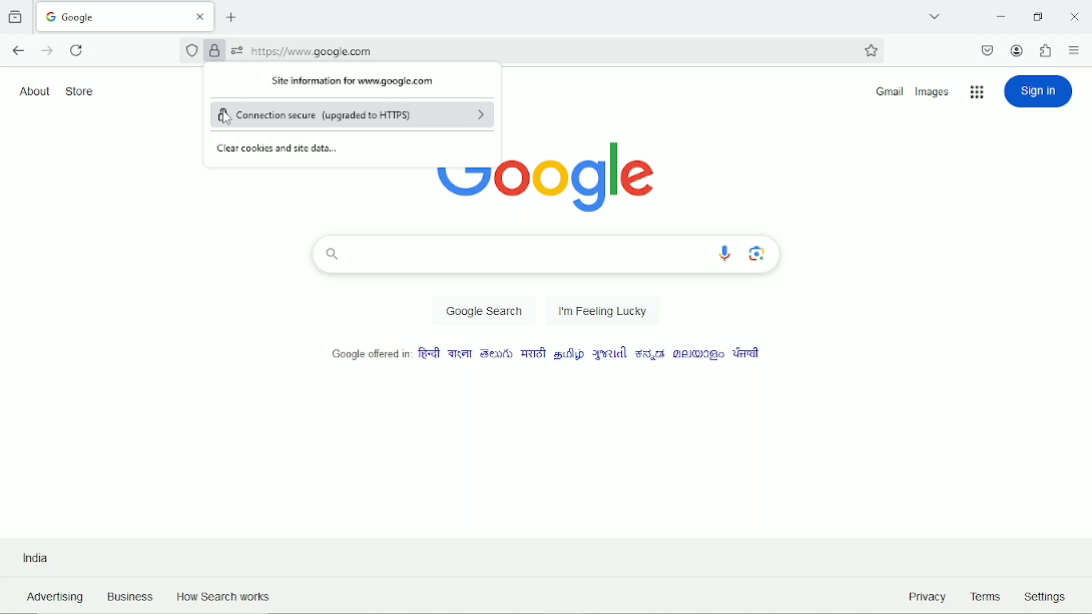 The image size is (1092, 614). What do you see at coordinates (496, 353) in the screenshot?
I see `language` at bounding box center [496, 353].